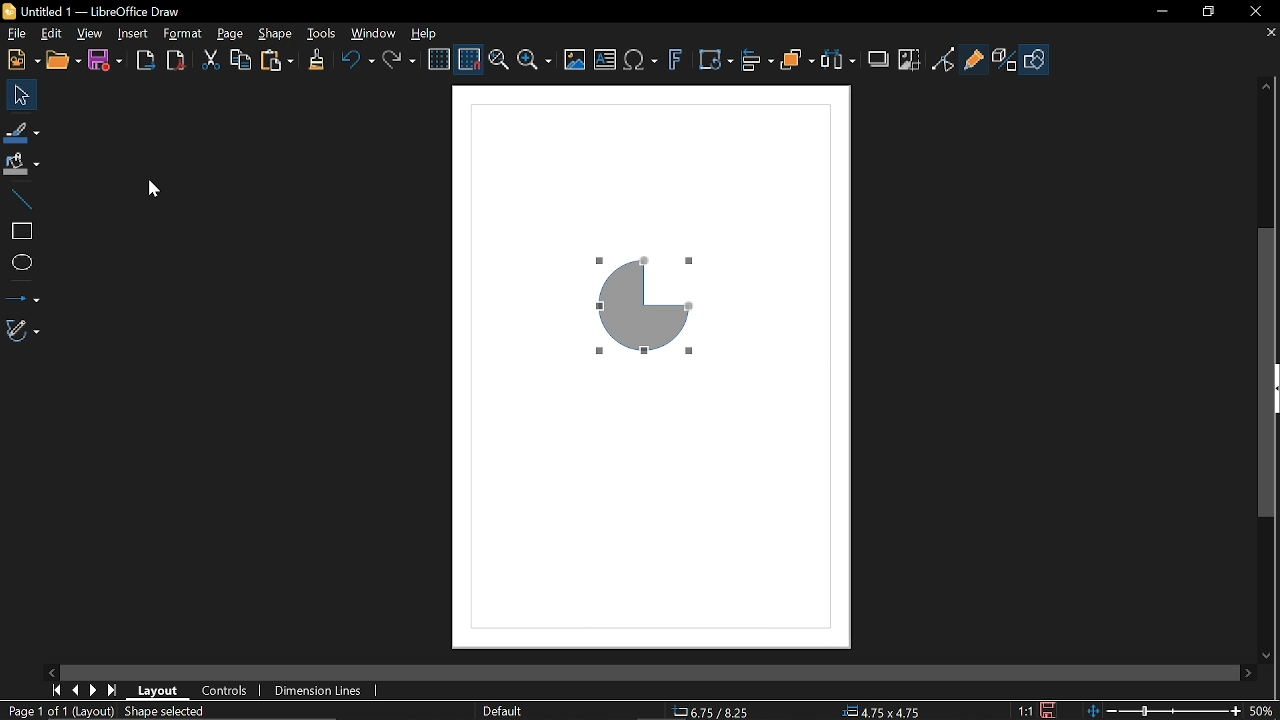  What do you see at coordinates (1255, 11) in the screenshot?
I see `Close` at bounding box center [1255, 11].